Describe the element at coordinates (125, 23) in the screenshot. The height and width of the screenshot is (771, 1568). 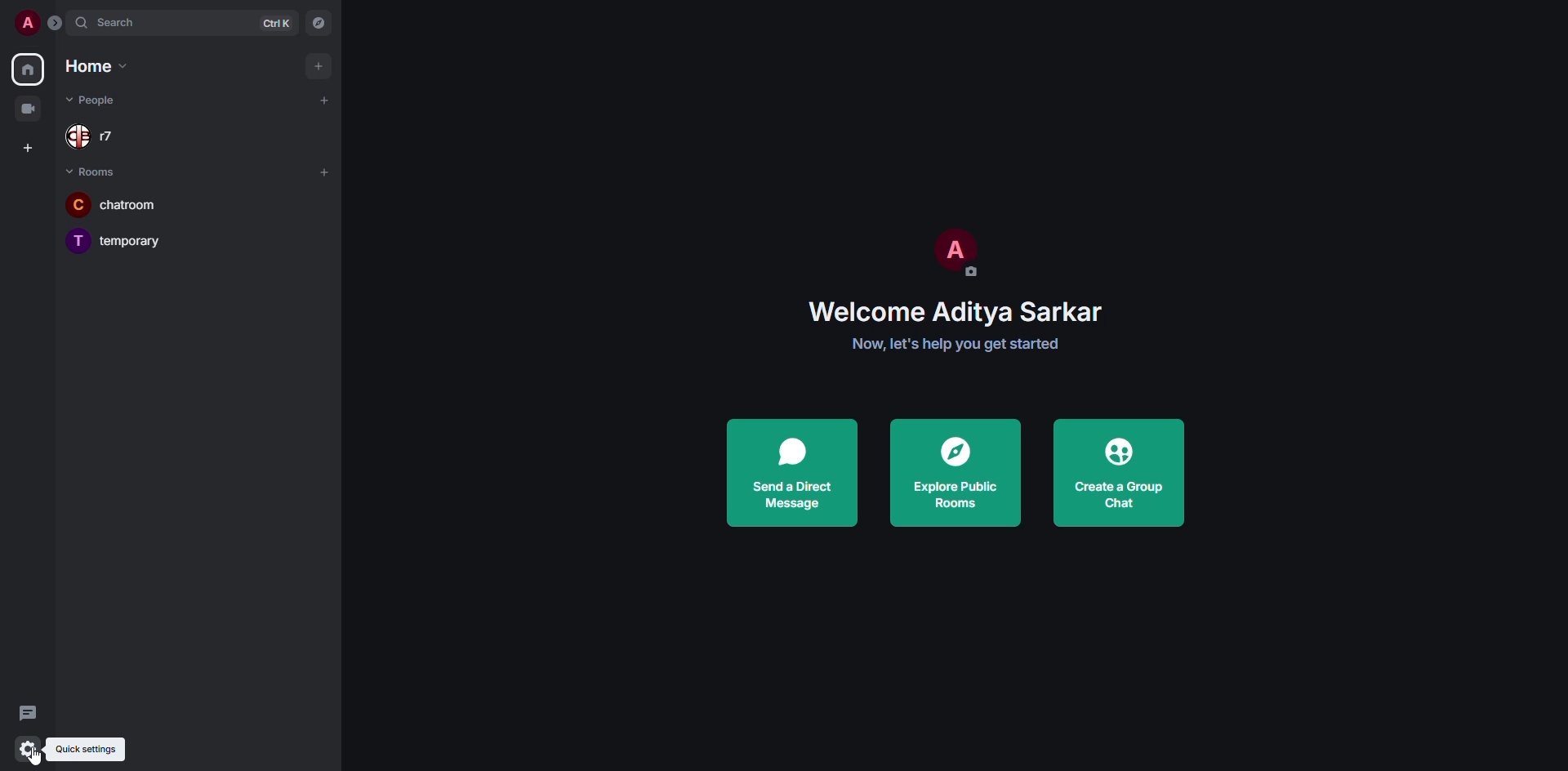
I see `search` at that location.